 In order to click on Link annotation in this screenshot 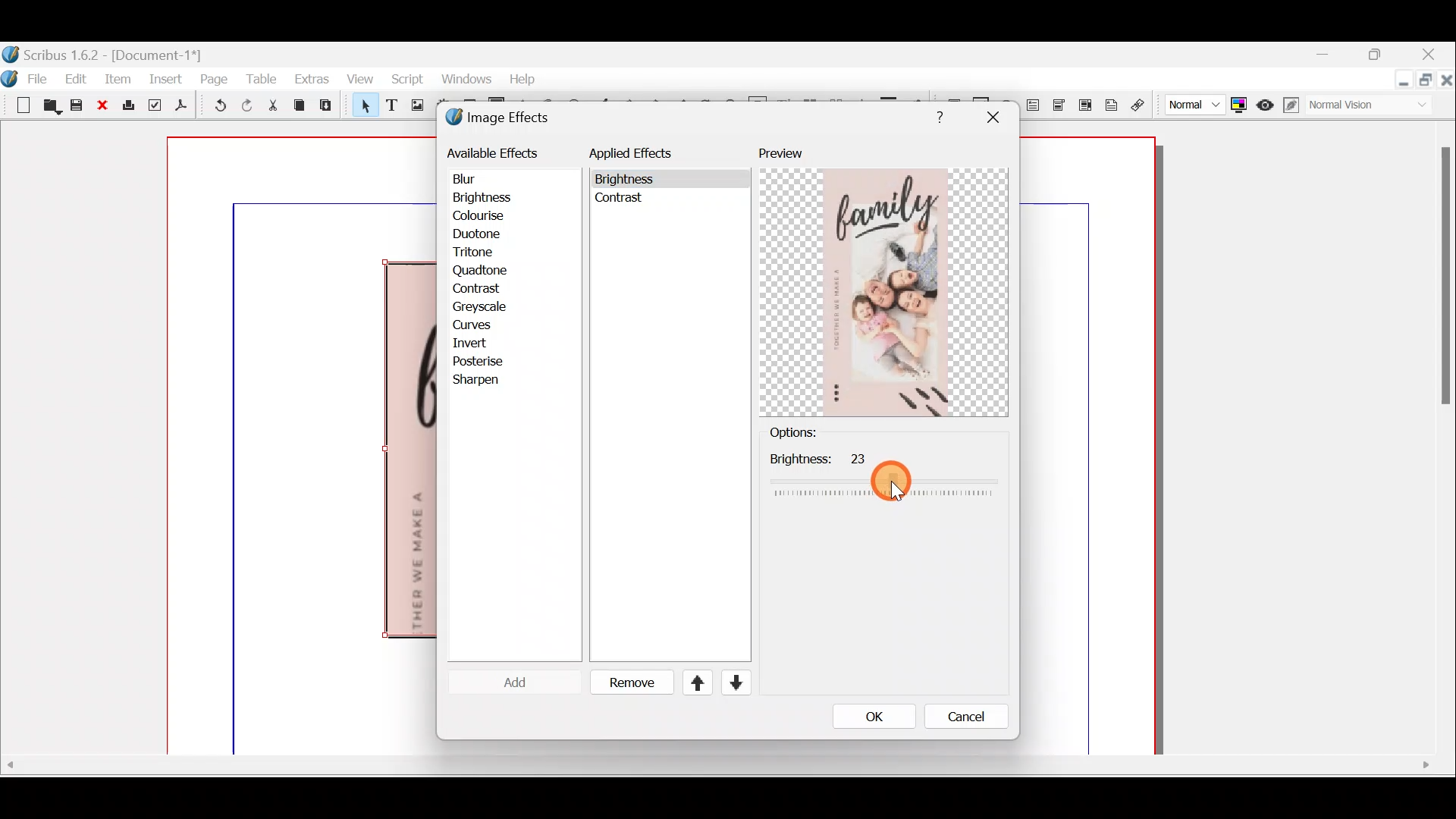, I will do `click(1140, 105)`.